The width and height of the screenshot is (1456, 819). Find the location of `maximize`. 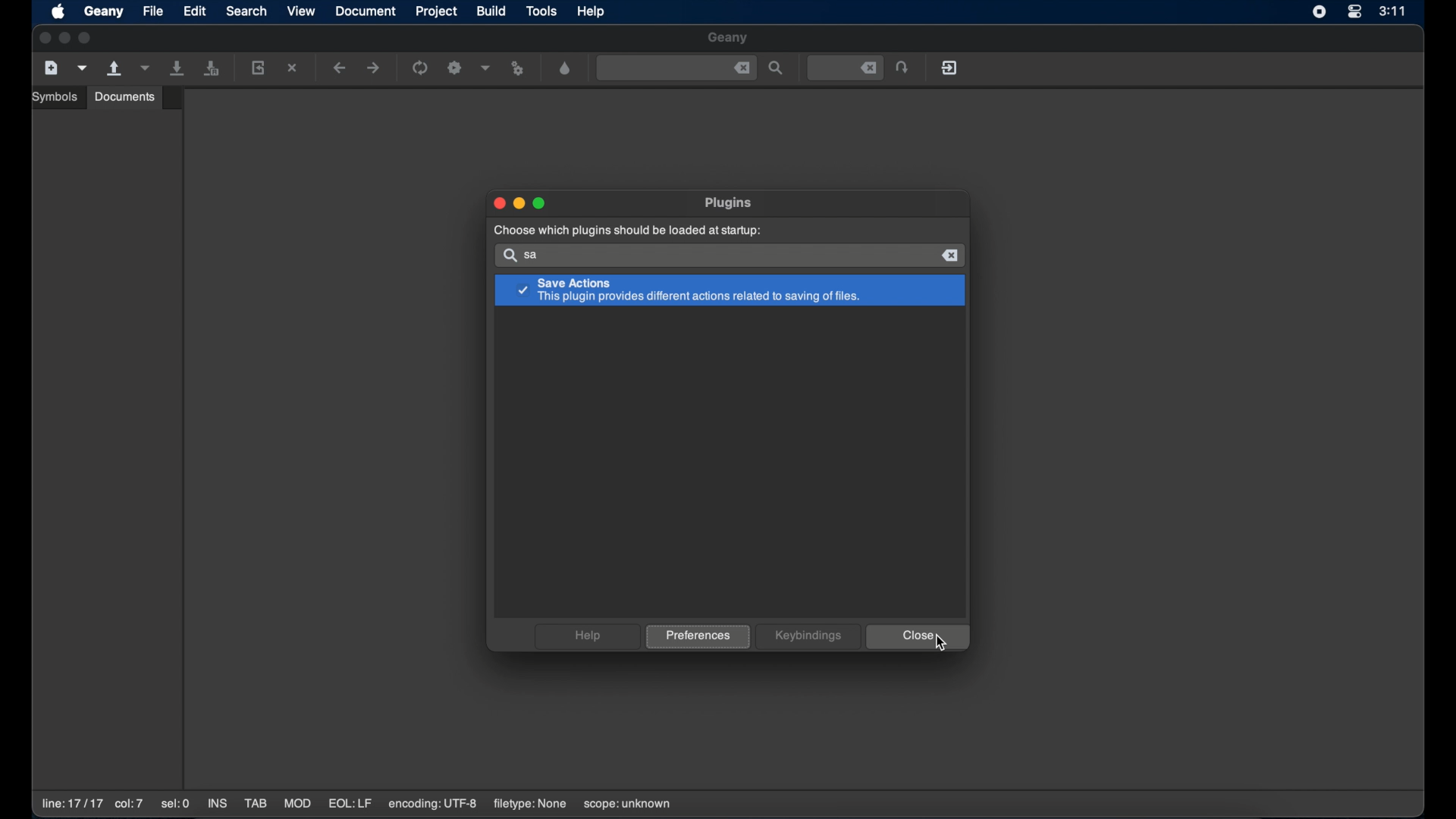

maximize is located at coordinates (541, 203).